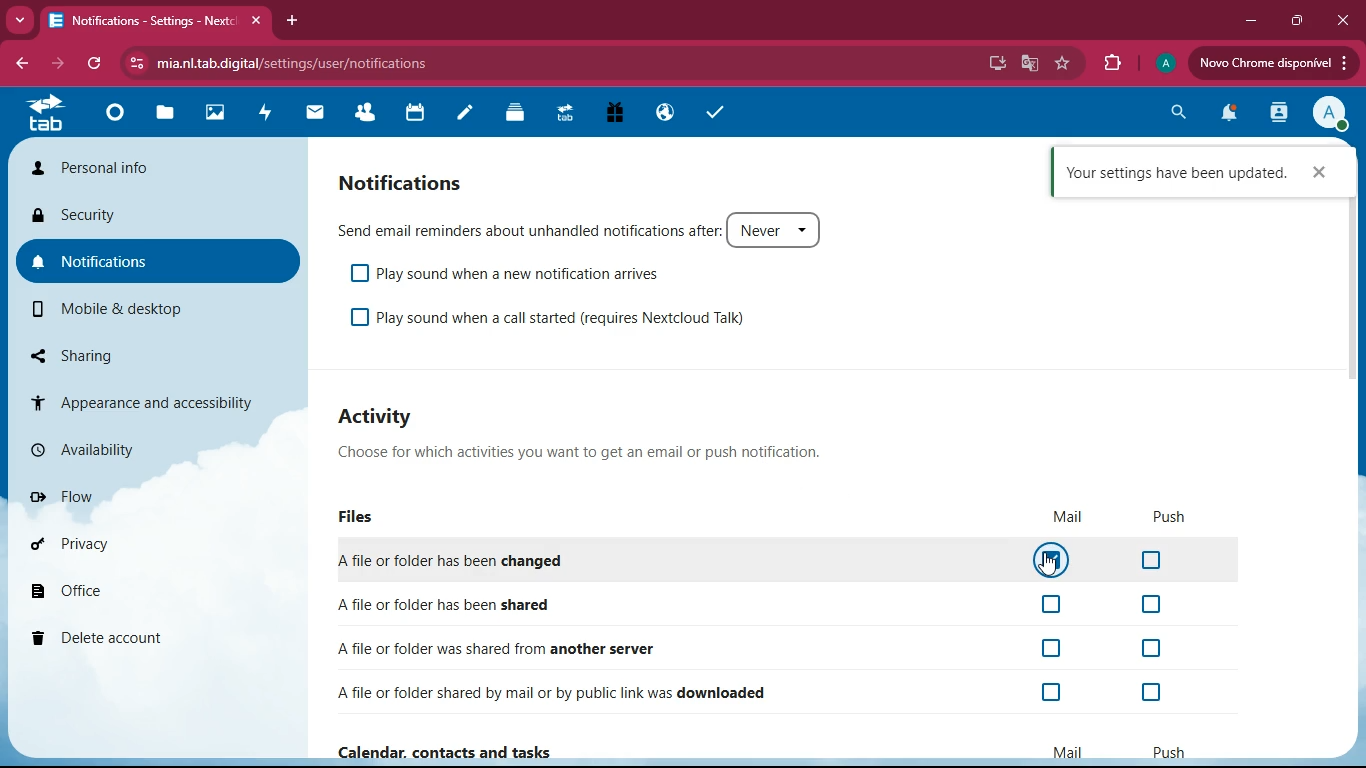 Image resolution: width=1366 pixels, height=768 pixels. Describe the element at coordinates (709, 113) in the screenshot. I see `tasks` at that location.